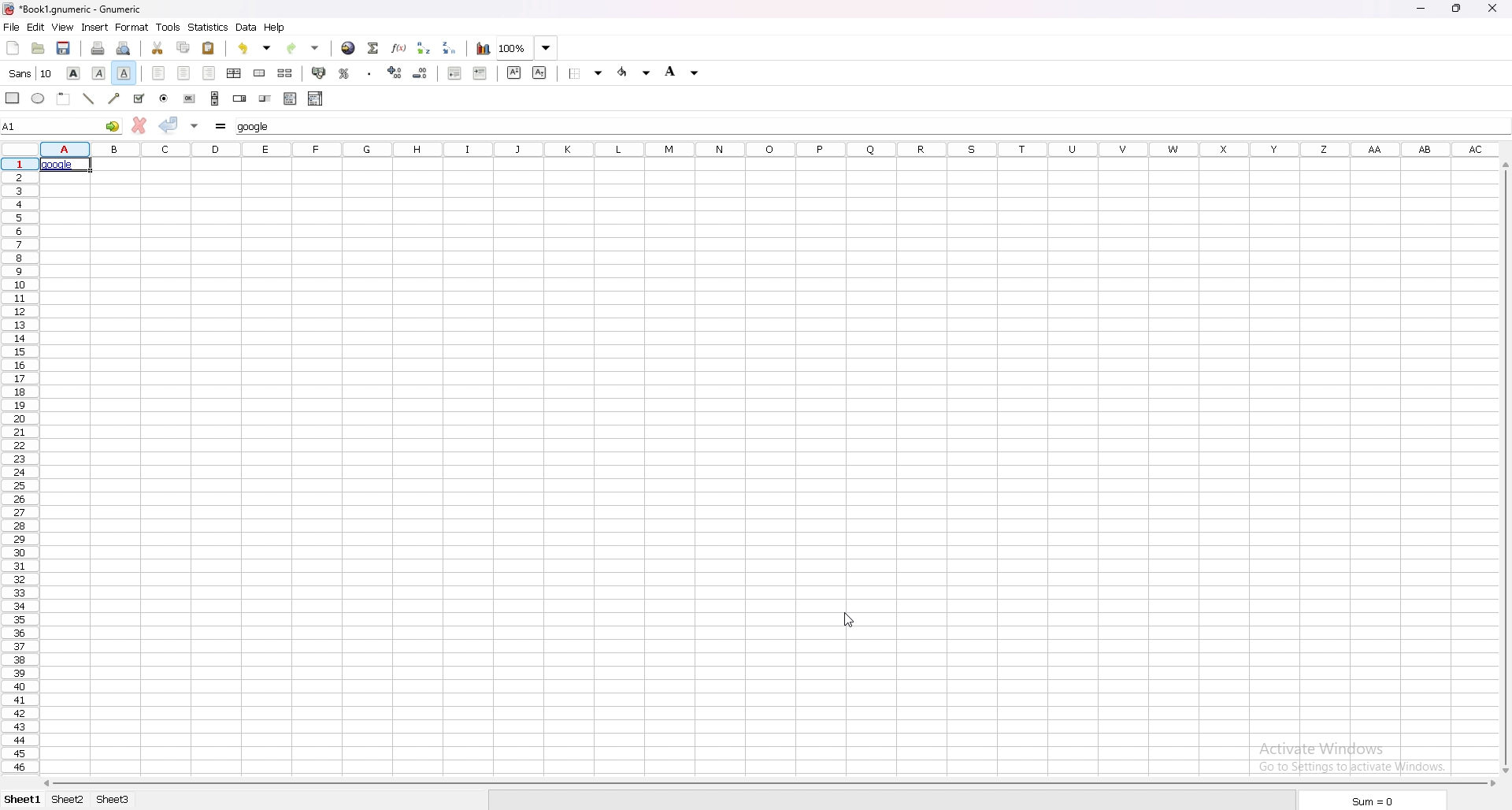  What do you see at coordinates (94, 28) in the screenshot?
I see `insert` at bounding box center [94, 28].